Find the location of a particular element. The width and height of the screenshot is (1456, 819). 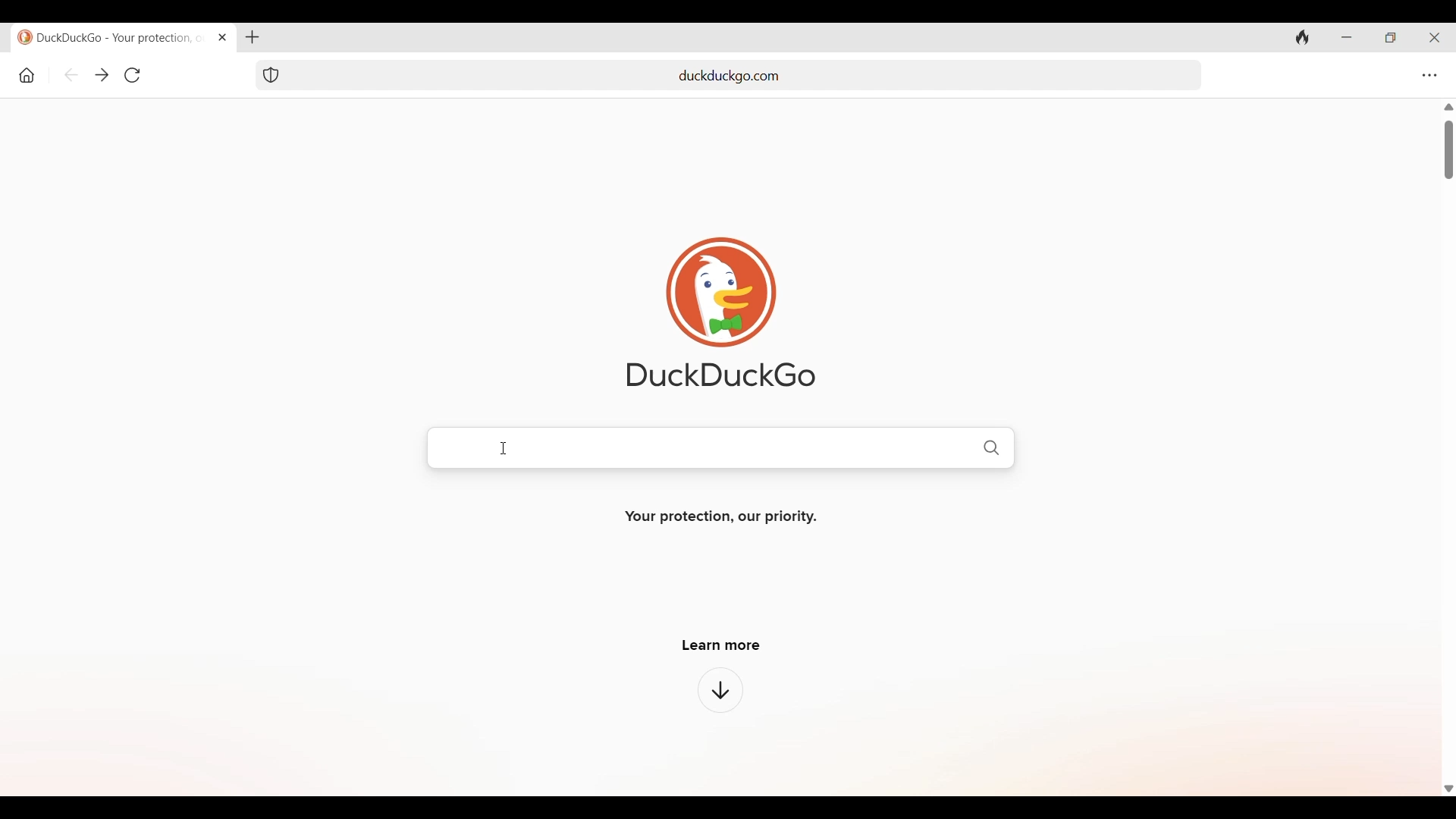

Vertical slide bar is located at coordinates (1448, 151).